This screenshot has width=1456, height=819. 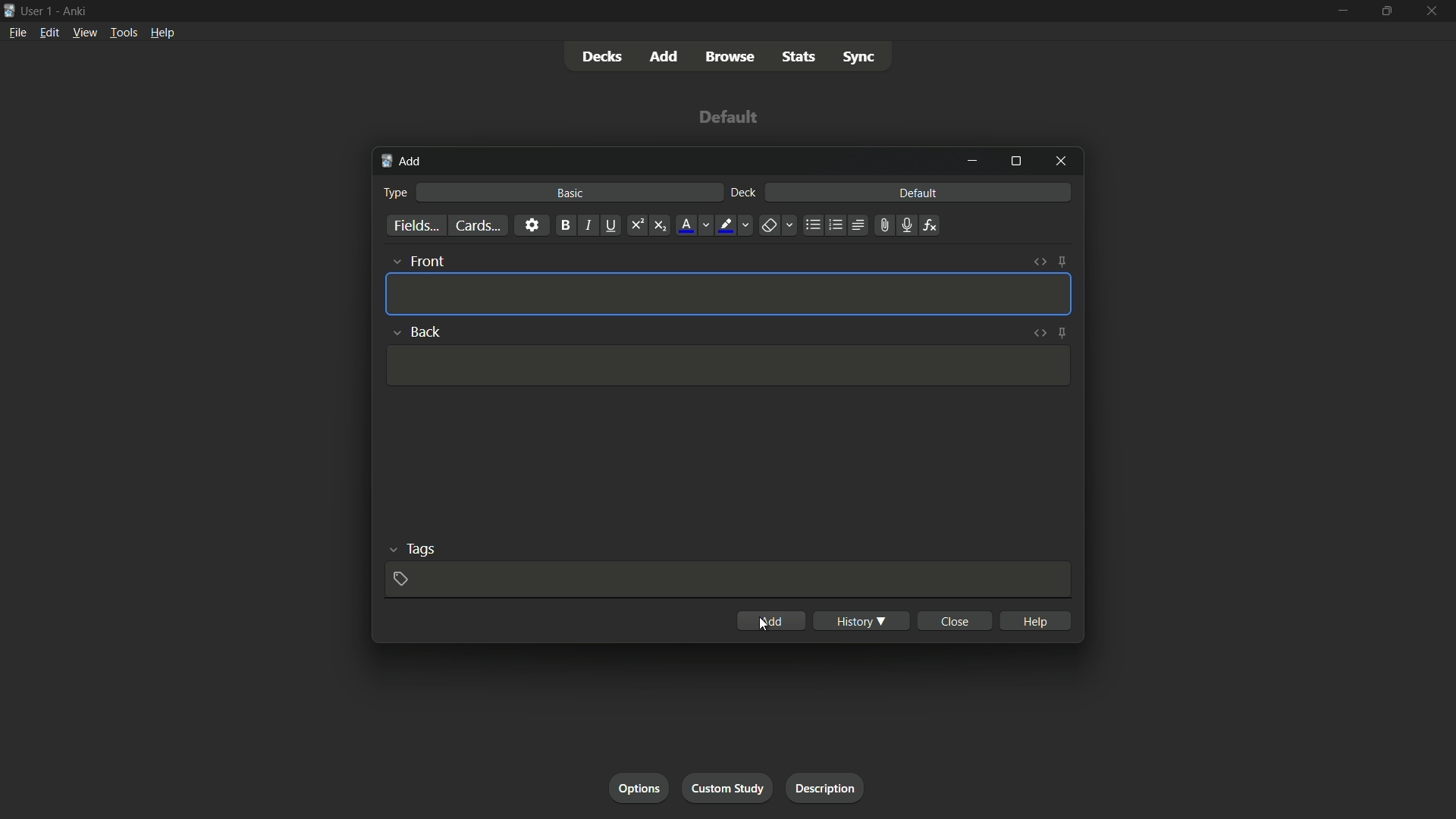 I want to click on browse, so click(x=730, y=57).